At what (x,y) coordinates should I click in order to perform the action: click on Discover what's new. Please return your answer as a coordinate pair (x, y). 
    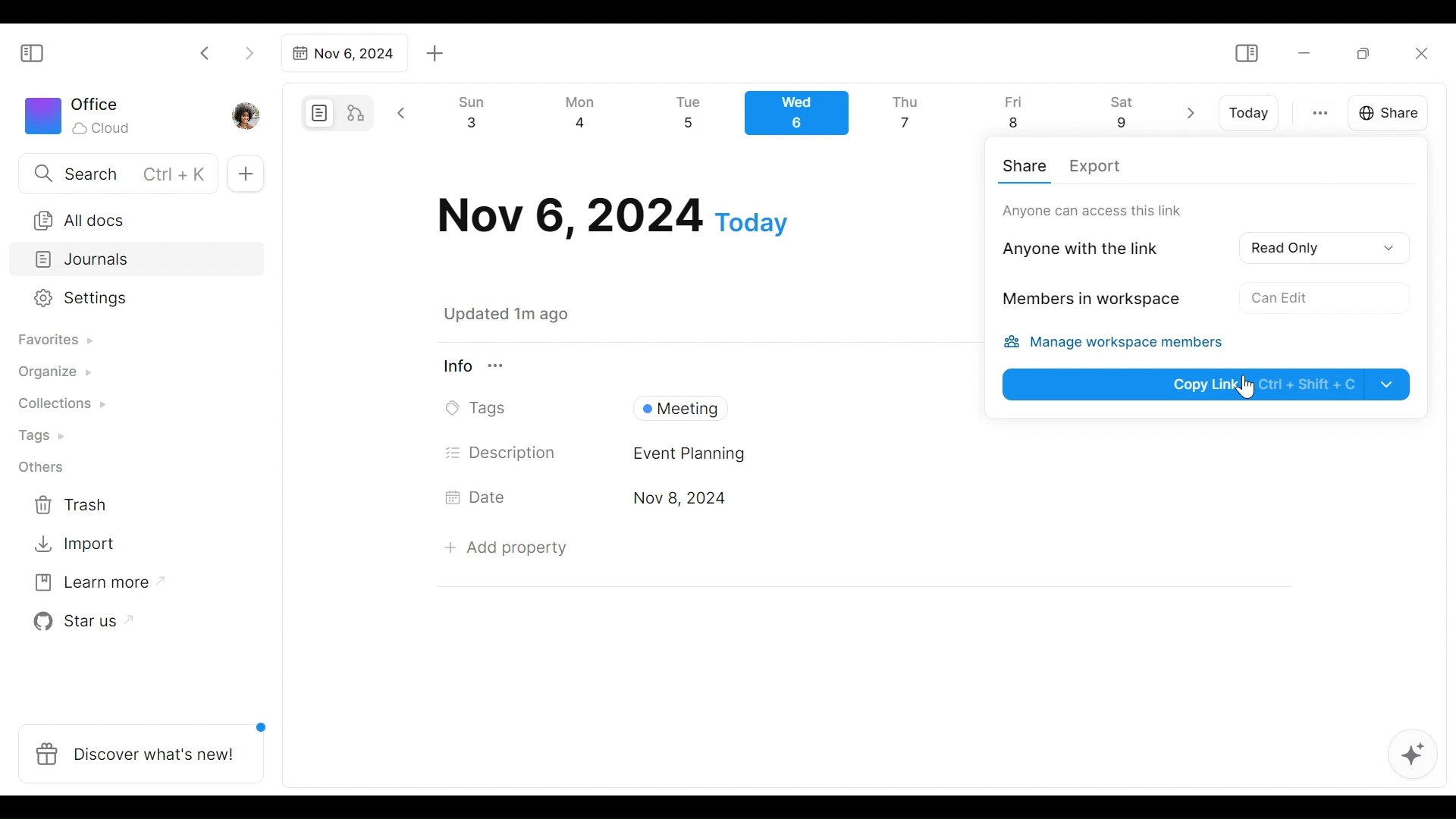
    Looking at the image, I should click on (147, 745).